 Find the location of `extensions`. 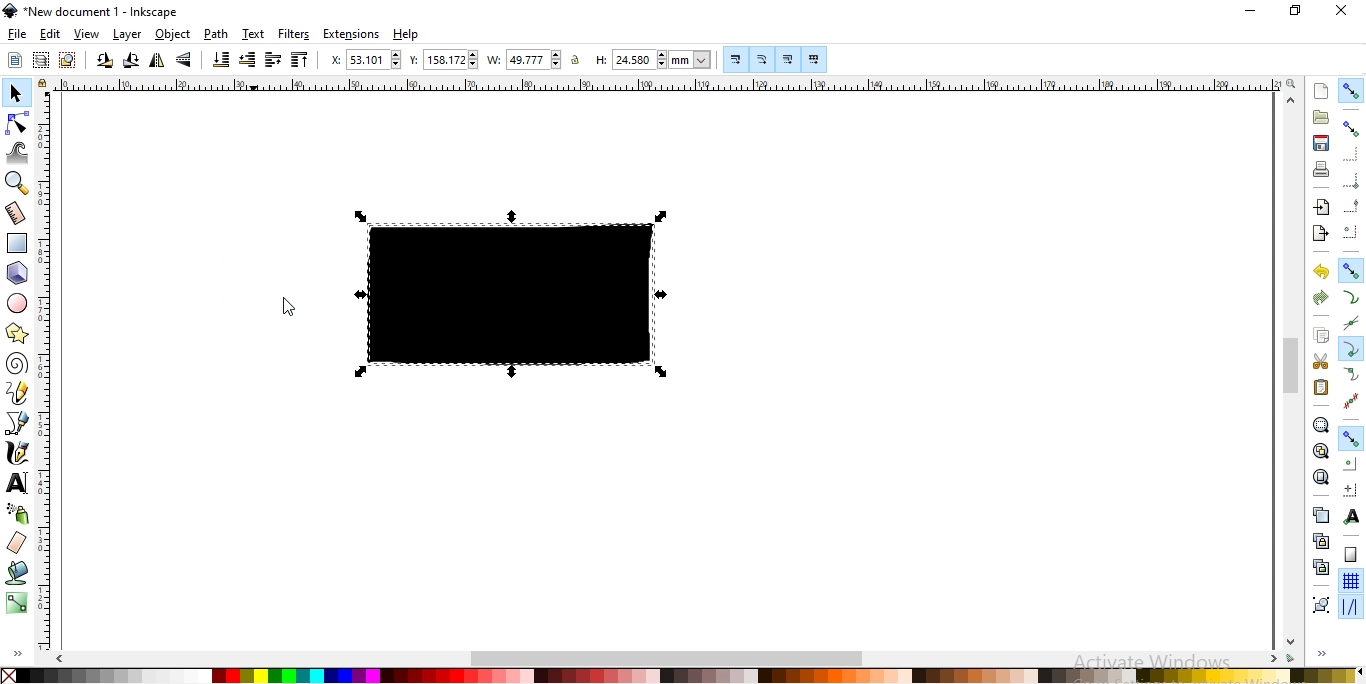

extensions is located at coordinates (351, 34).